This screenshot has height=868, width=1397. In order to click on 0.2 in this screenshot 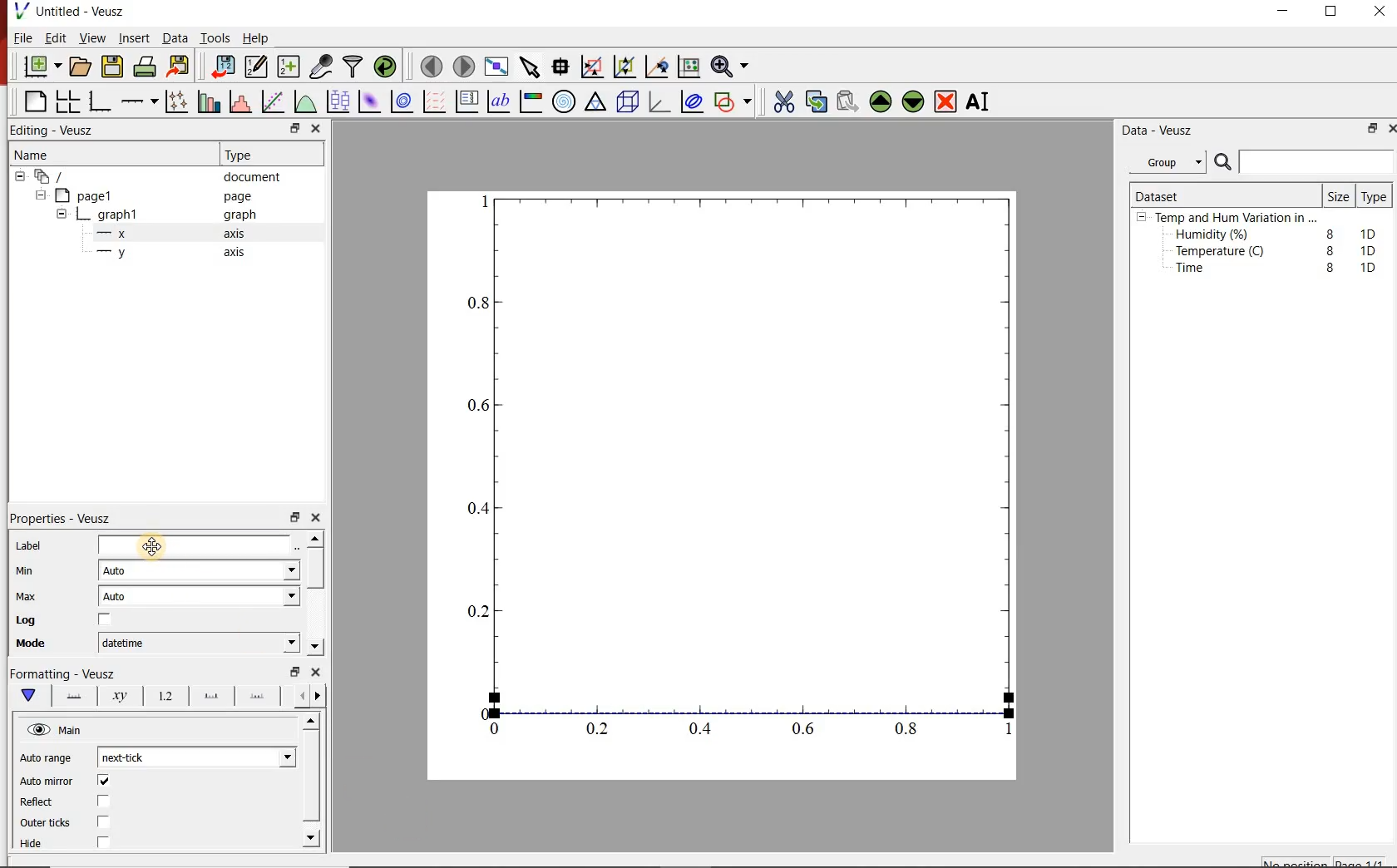, I will do `click(476, 611)`.